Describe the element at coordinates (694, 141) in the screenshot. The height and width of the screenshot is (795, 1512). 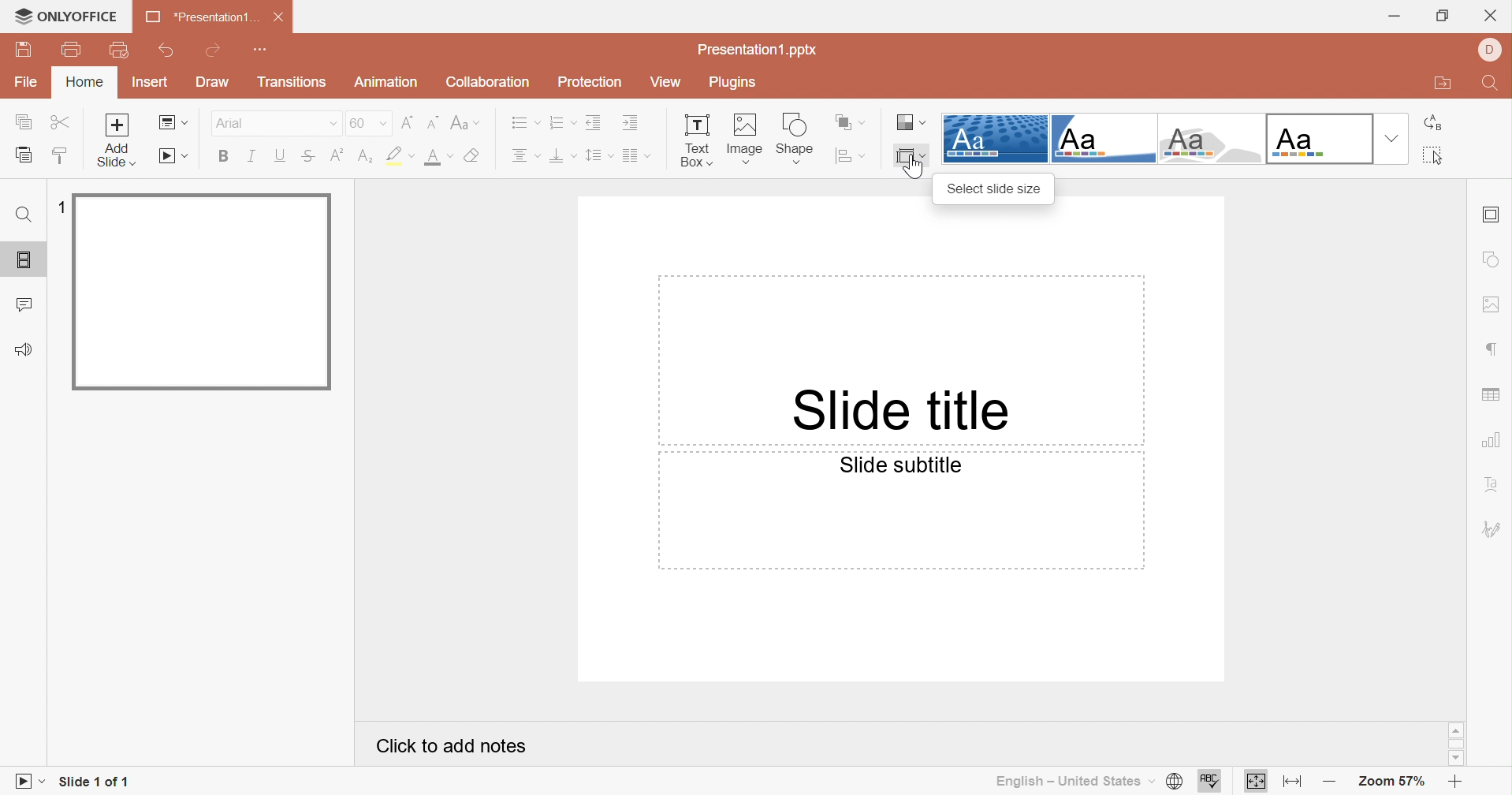
I see `Text box` at that location.